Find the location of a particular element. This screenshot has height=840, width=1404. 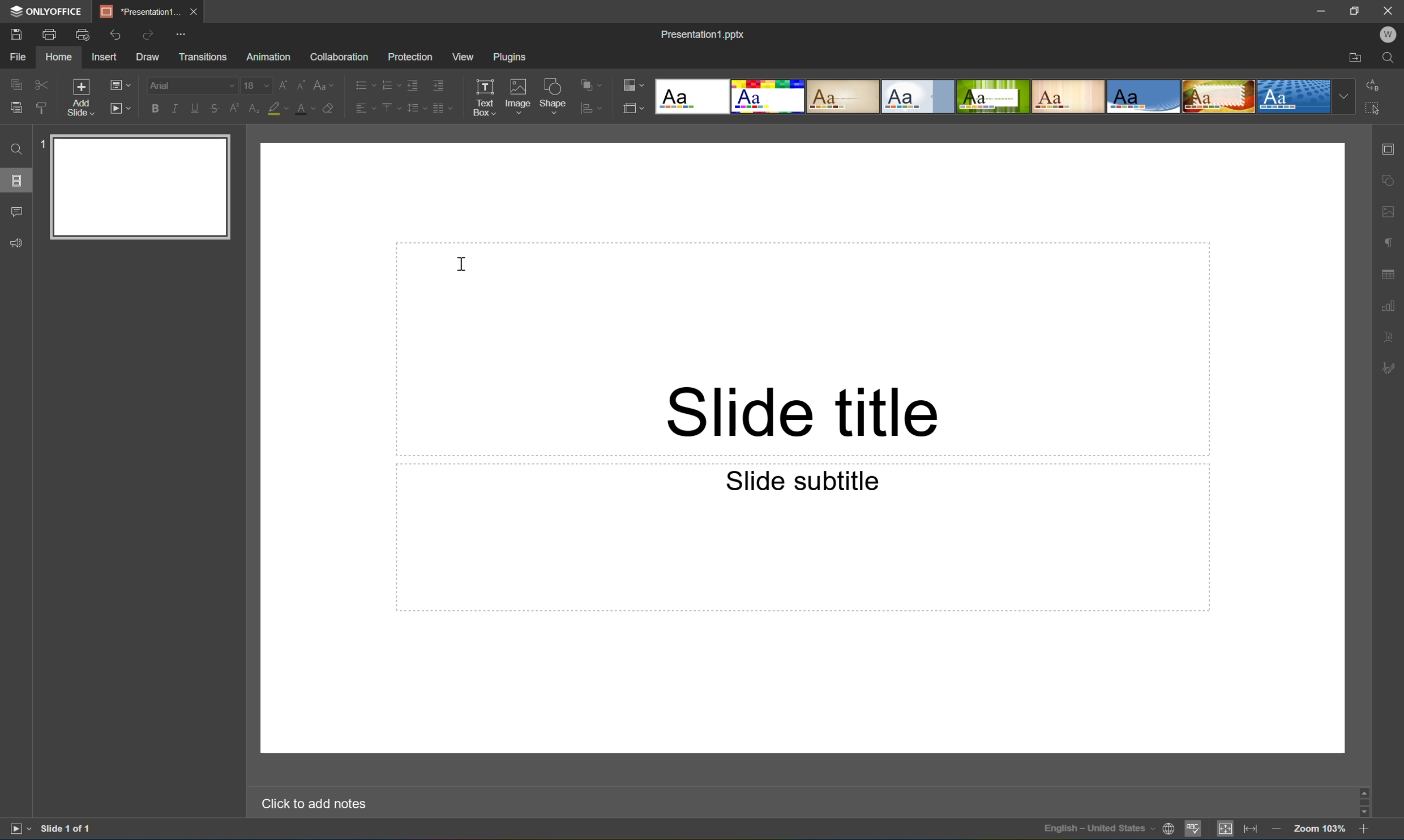

Change case is located at coordinates (320, 85).